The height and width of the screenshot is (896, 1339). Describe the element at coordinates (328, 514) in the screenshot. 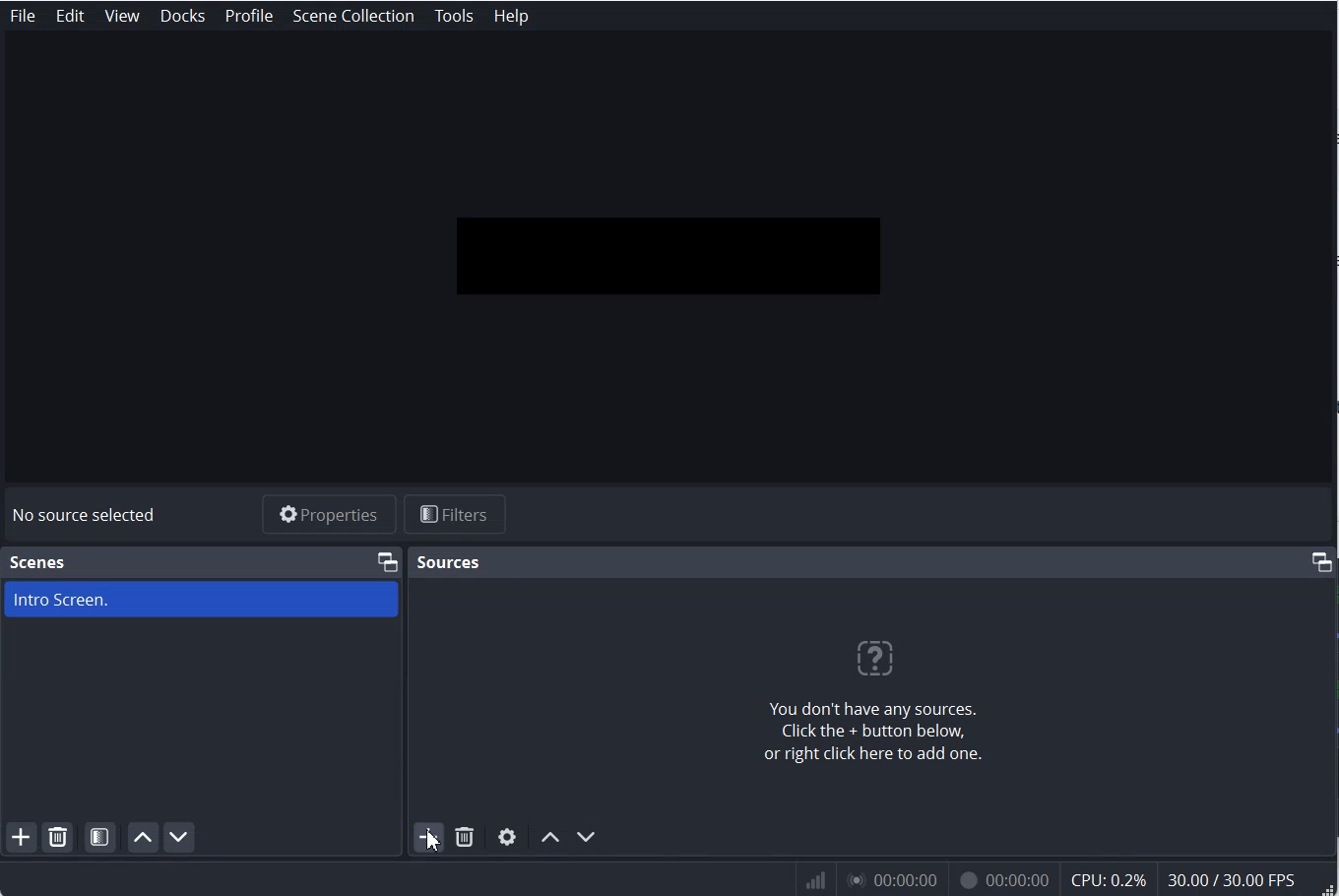

I see `Properties` at that location.